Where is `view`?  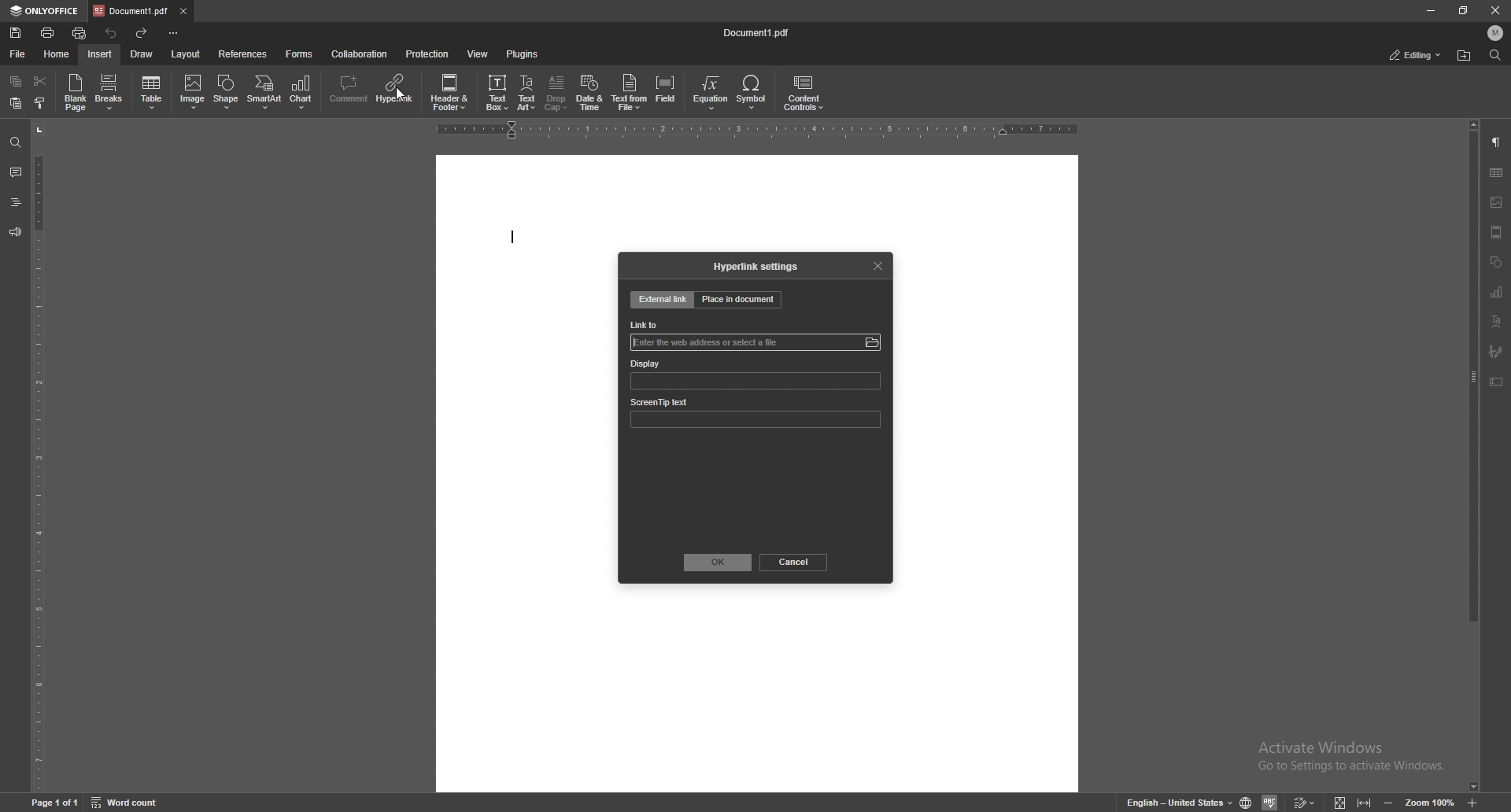
view is located at coordinates (478, 54).